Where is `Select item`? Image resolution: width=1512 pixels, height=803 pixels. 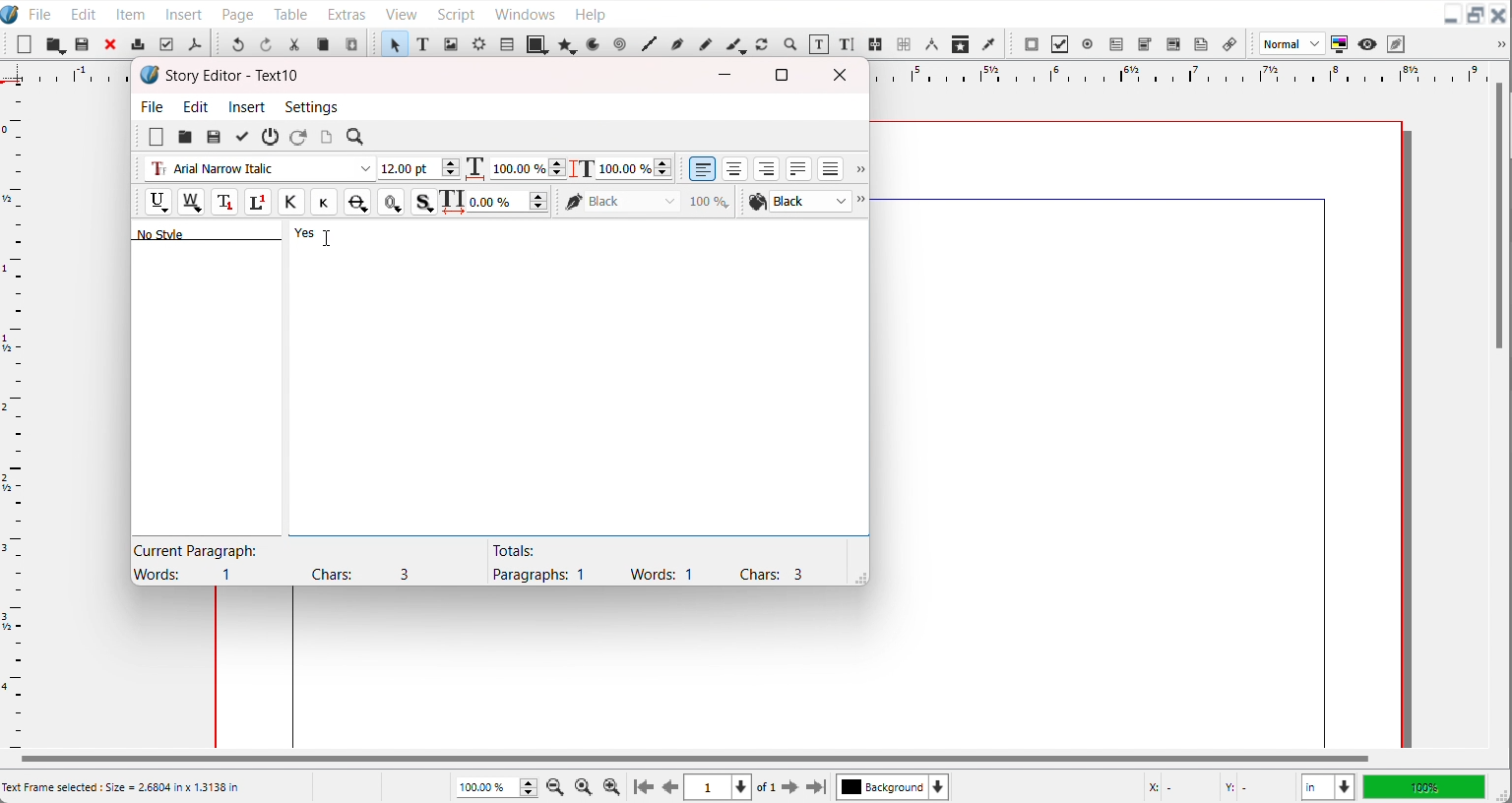 Select item is located at coordinates (394, 43).